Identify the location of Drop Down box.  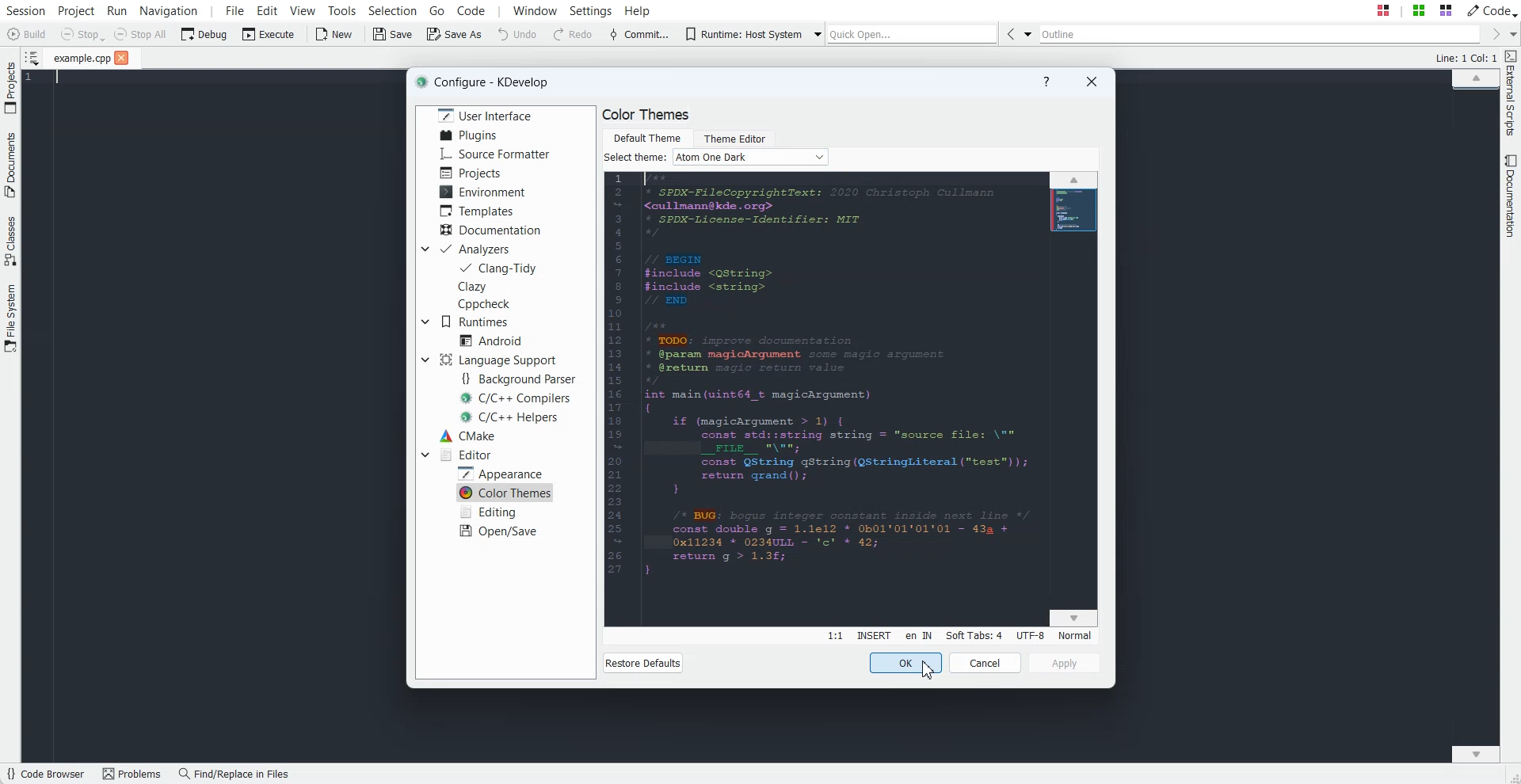
(425, 322).